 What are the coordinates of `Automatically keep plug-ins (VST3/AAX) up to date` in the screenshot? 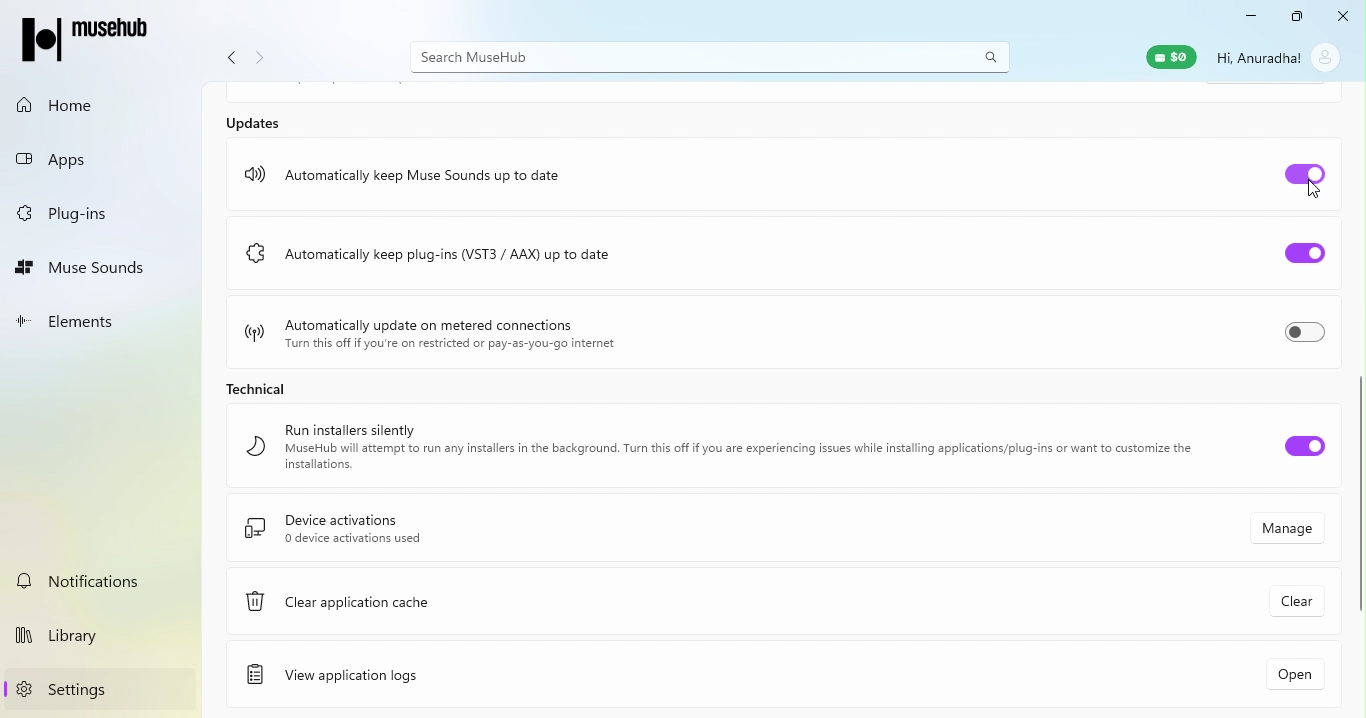 It's located at (427, 250).